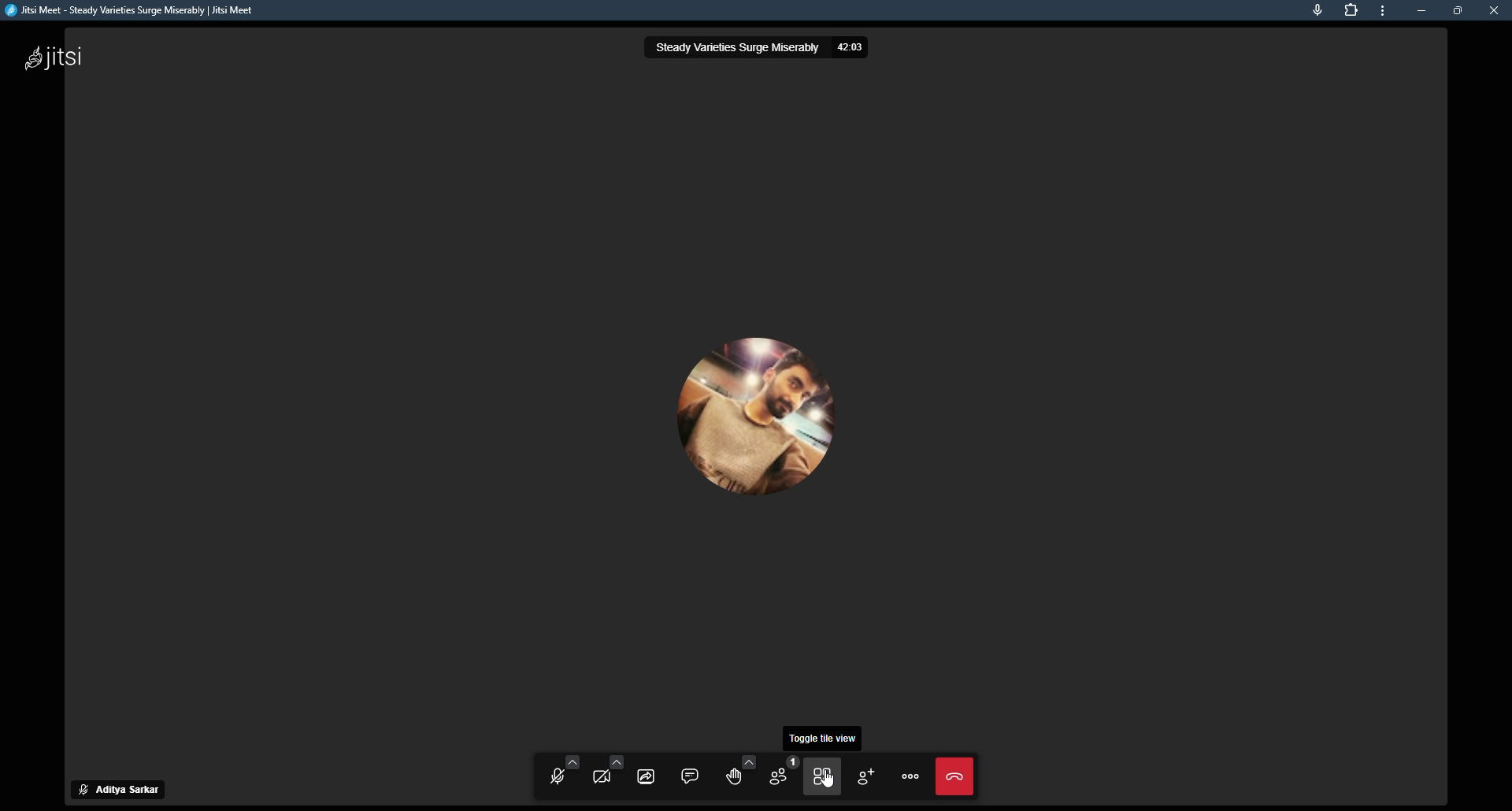 The image size is (1512, 811). What do you see at coordinates (825, 739) in the screenshot?
I see `toggle tile view` at bounding box center [825, 739].